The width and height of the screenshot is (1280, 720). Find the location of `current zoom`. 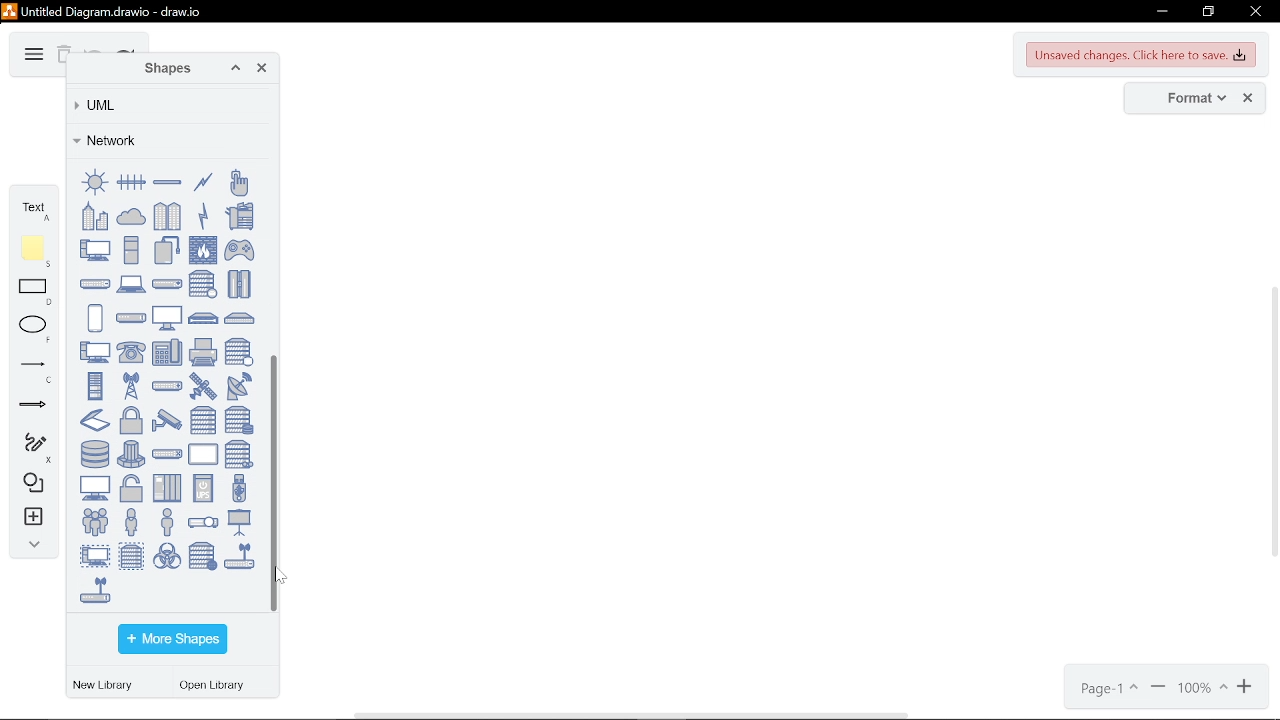

current zoom is located at coordinates (1203, 689).